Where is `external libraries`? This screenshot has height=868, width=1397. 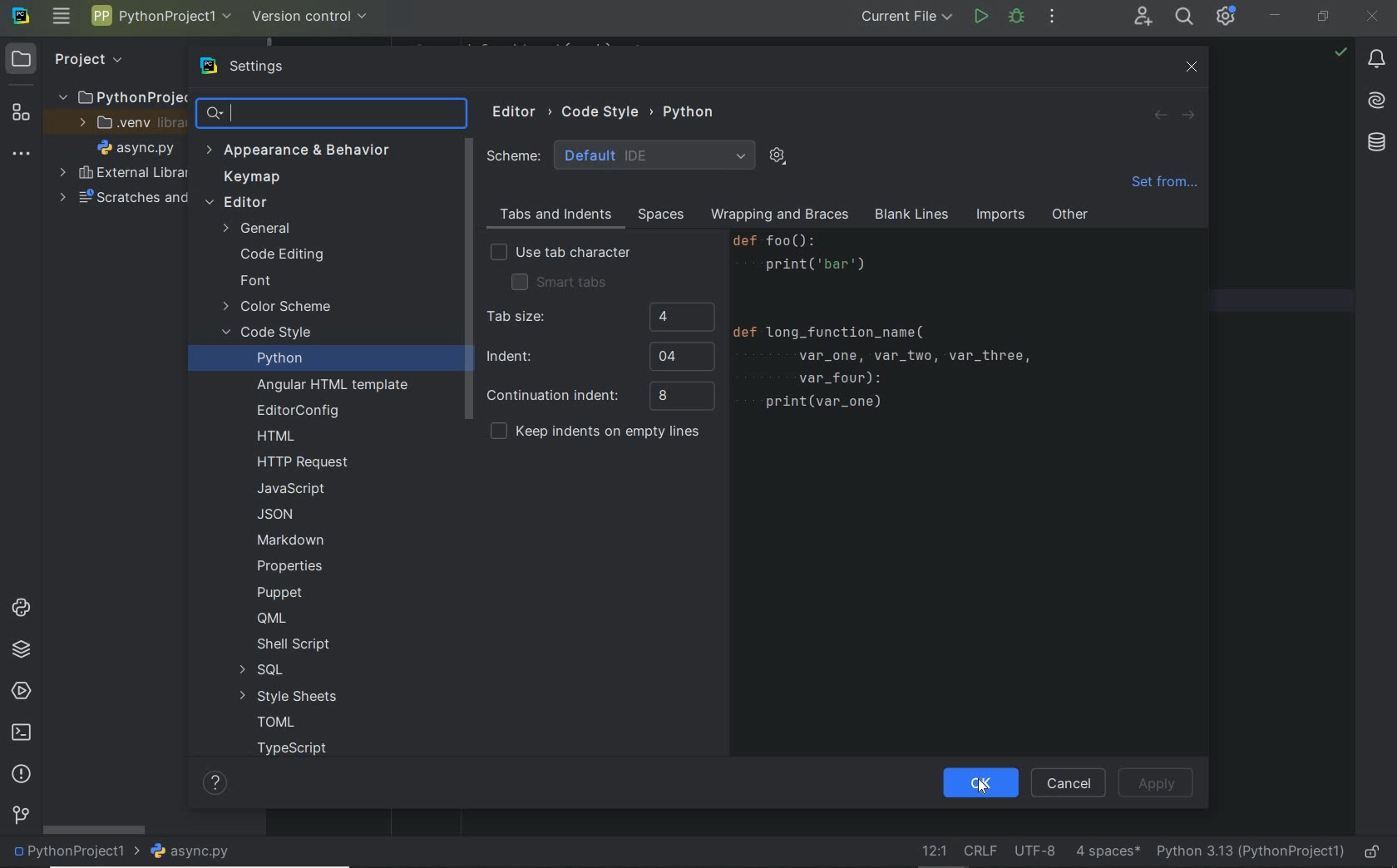 external libraries is located at coordinates (123, 174).